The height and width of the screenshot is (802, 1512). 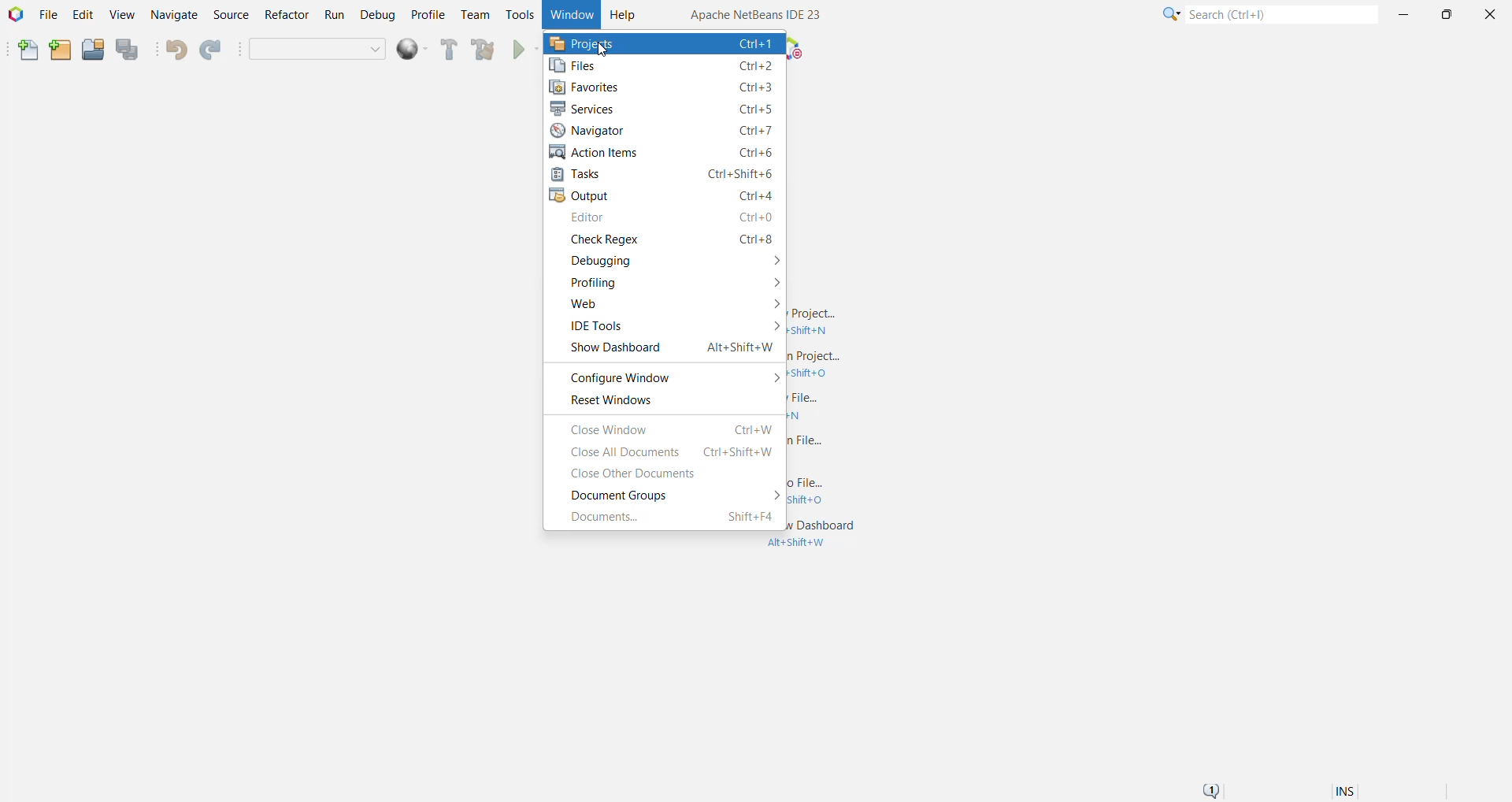 What do you see at coordinates (229, 15) in the screenshot?
I see `Source` at bounding box center [229, 15].